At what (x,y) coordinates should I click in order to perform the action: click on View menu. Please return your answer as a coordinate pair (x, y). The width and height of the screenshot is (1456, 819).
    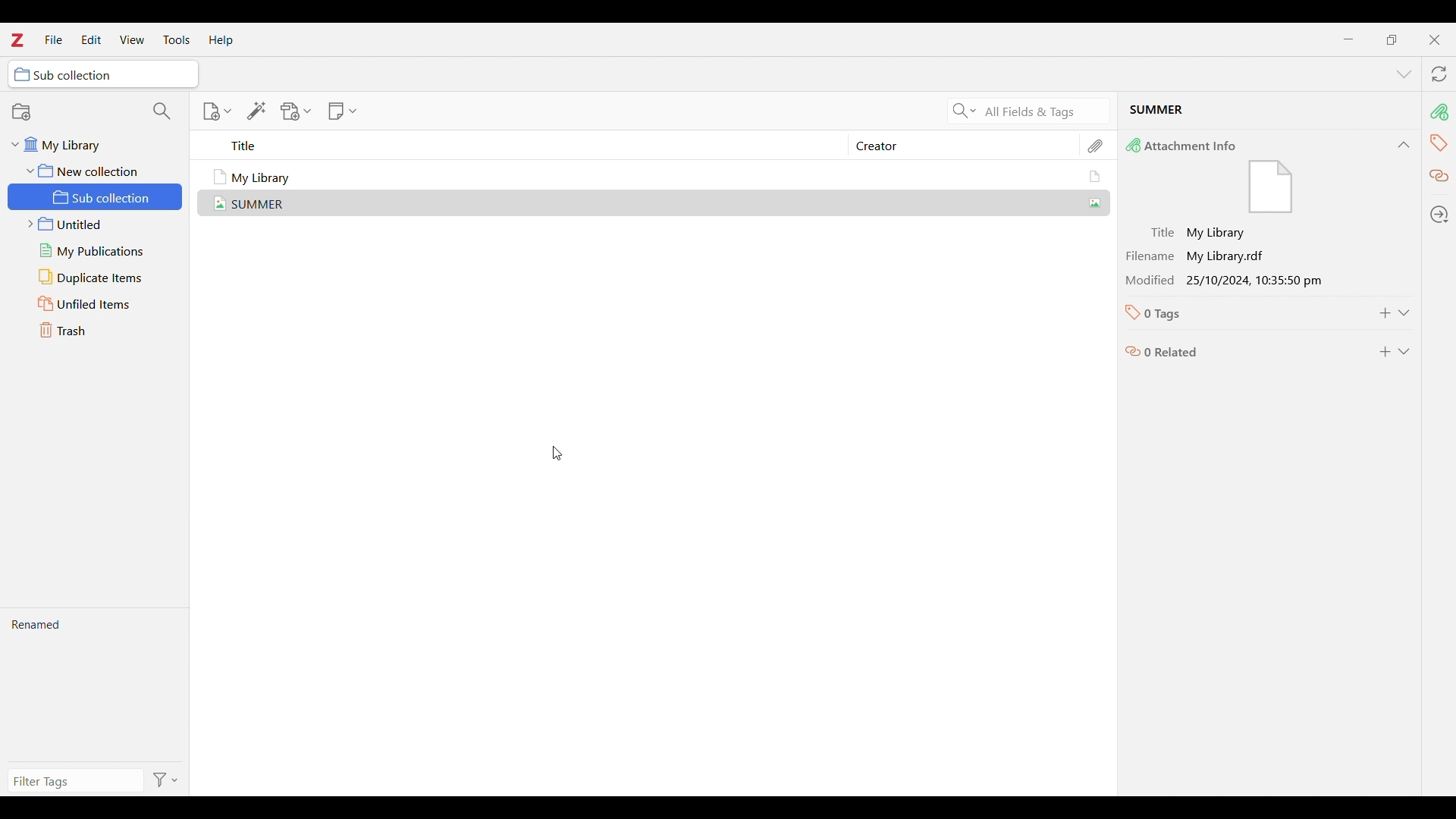
    Looking at the image, I should click on (132, 39).